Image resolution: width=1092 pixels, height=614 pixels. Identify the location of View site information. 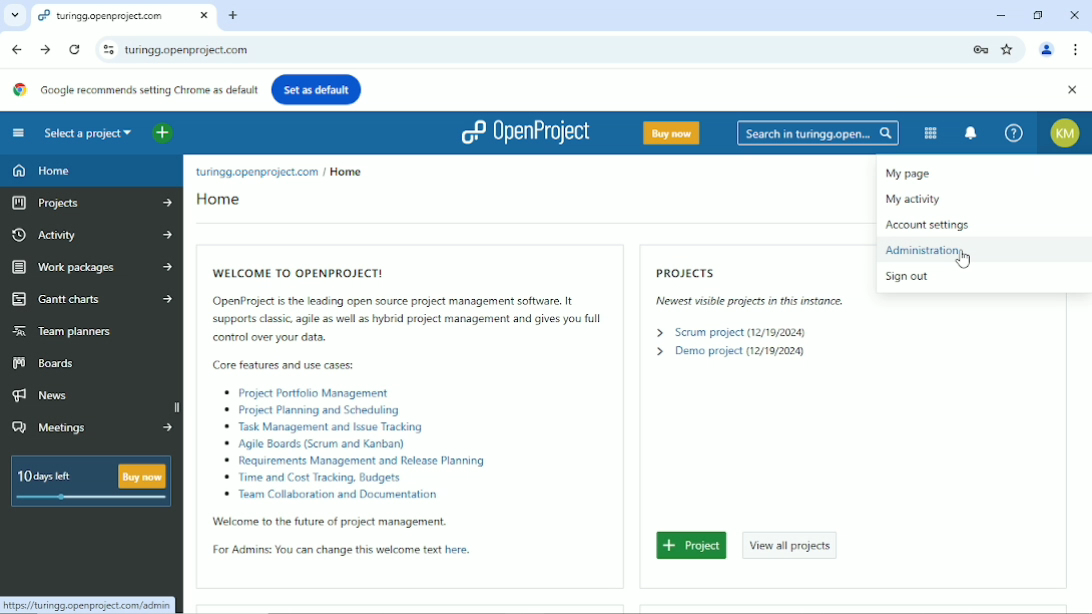
(105, 49).